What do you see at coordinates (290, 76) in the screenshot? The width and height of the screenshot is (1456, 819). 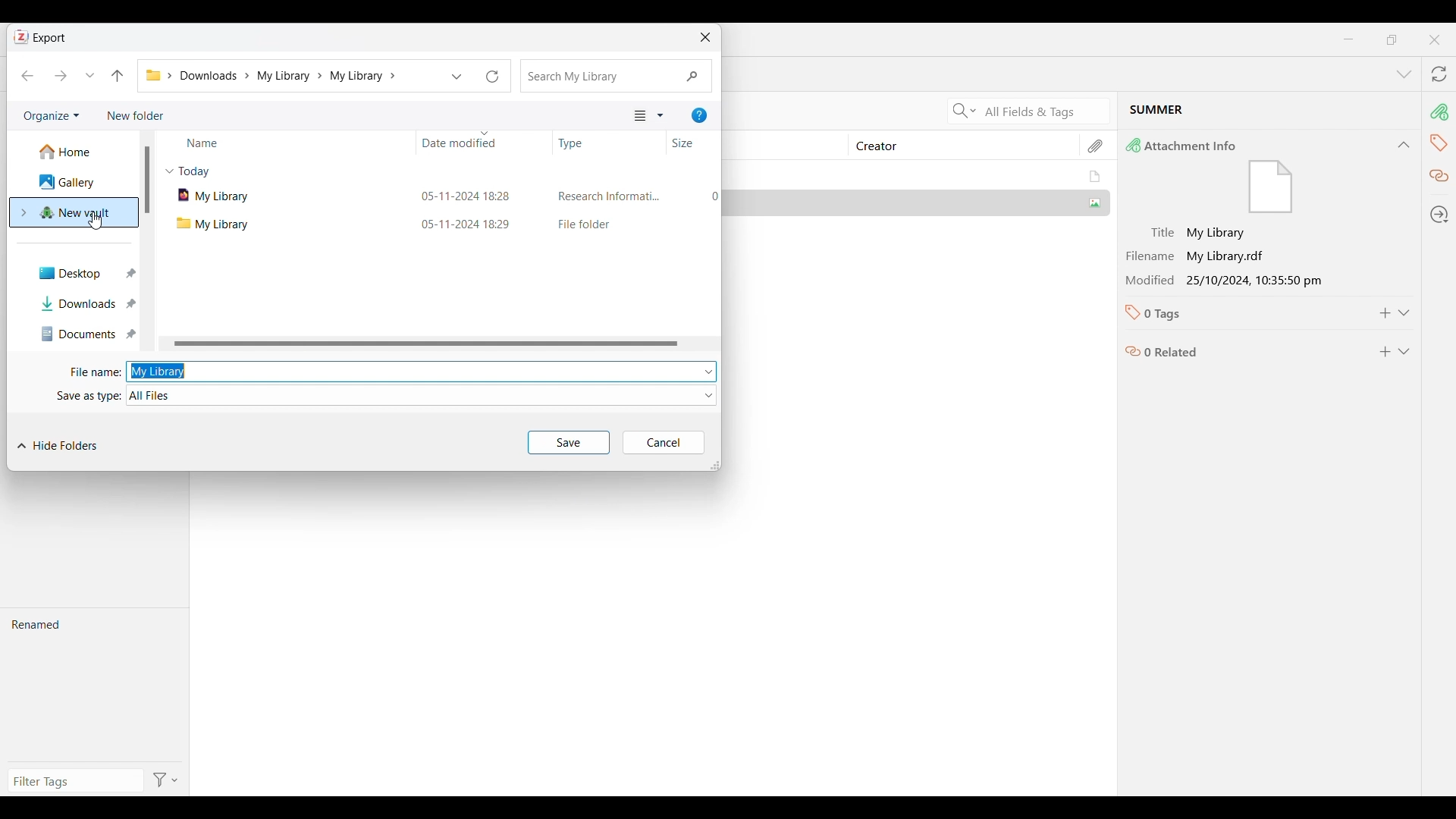 I see `My library` at bounding box center [290, 76].